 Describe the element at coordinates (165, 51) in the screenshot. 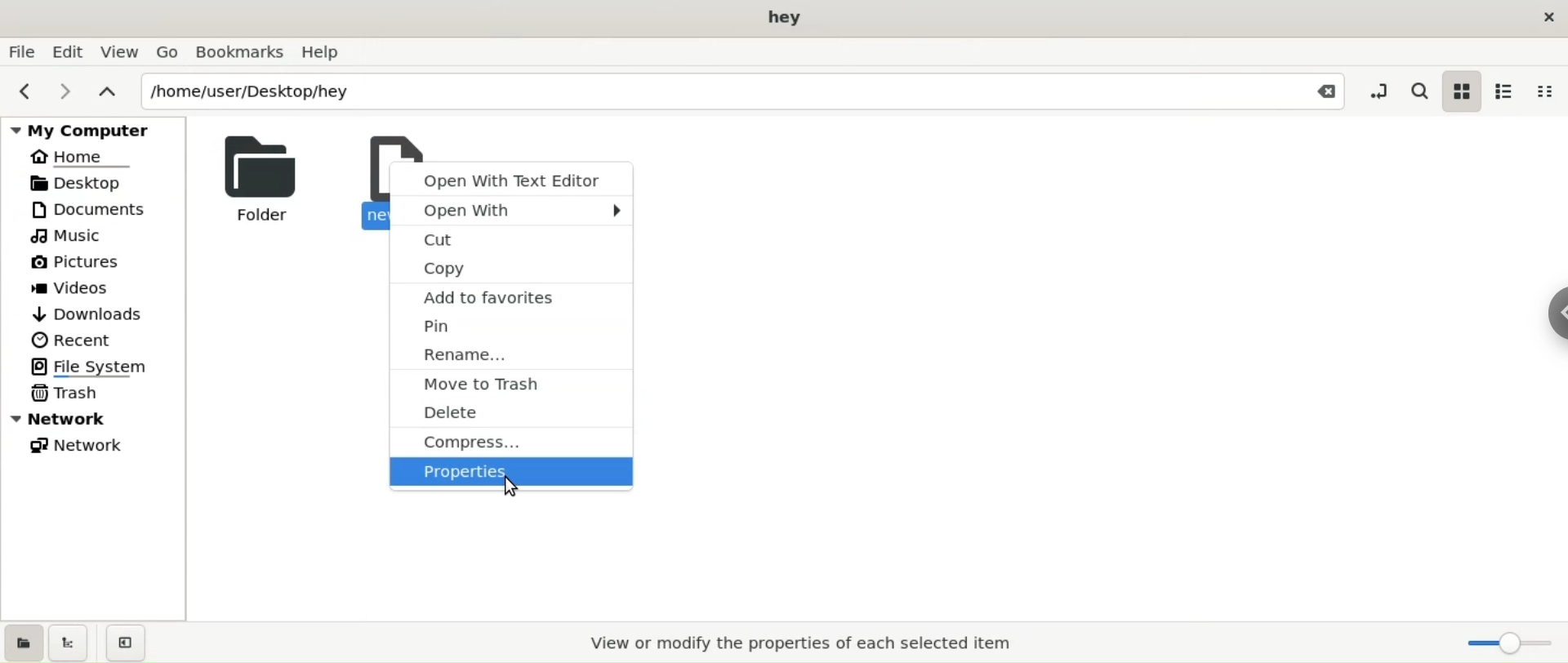

I see `Go` at that location.